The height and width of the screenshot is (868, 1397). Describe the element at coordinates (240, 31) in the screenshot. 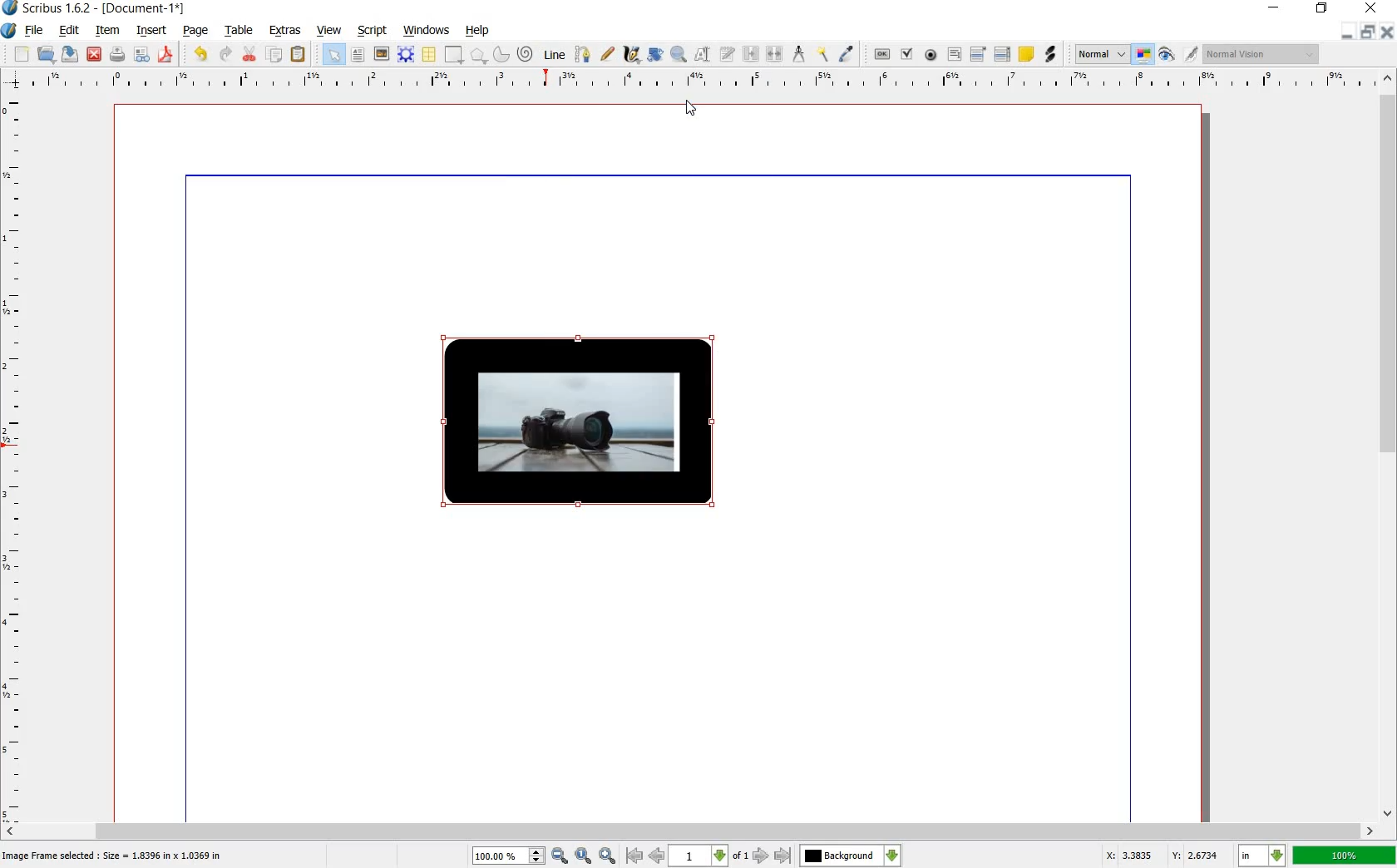

I see `table` at that location.